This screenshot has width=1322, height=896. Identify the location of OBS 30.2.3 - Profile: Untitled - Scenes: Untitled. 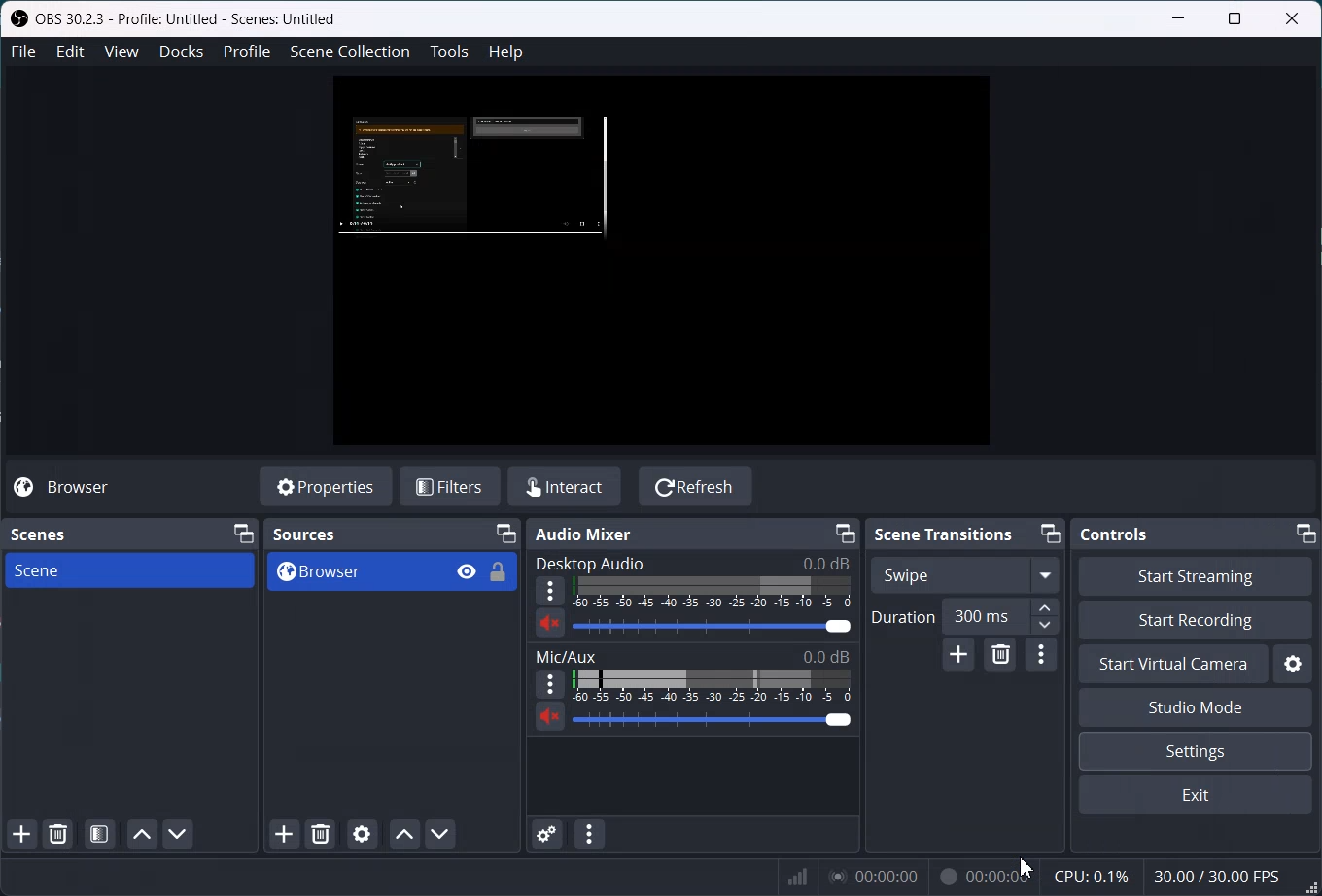
(178, 19).